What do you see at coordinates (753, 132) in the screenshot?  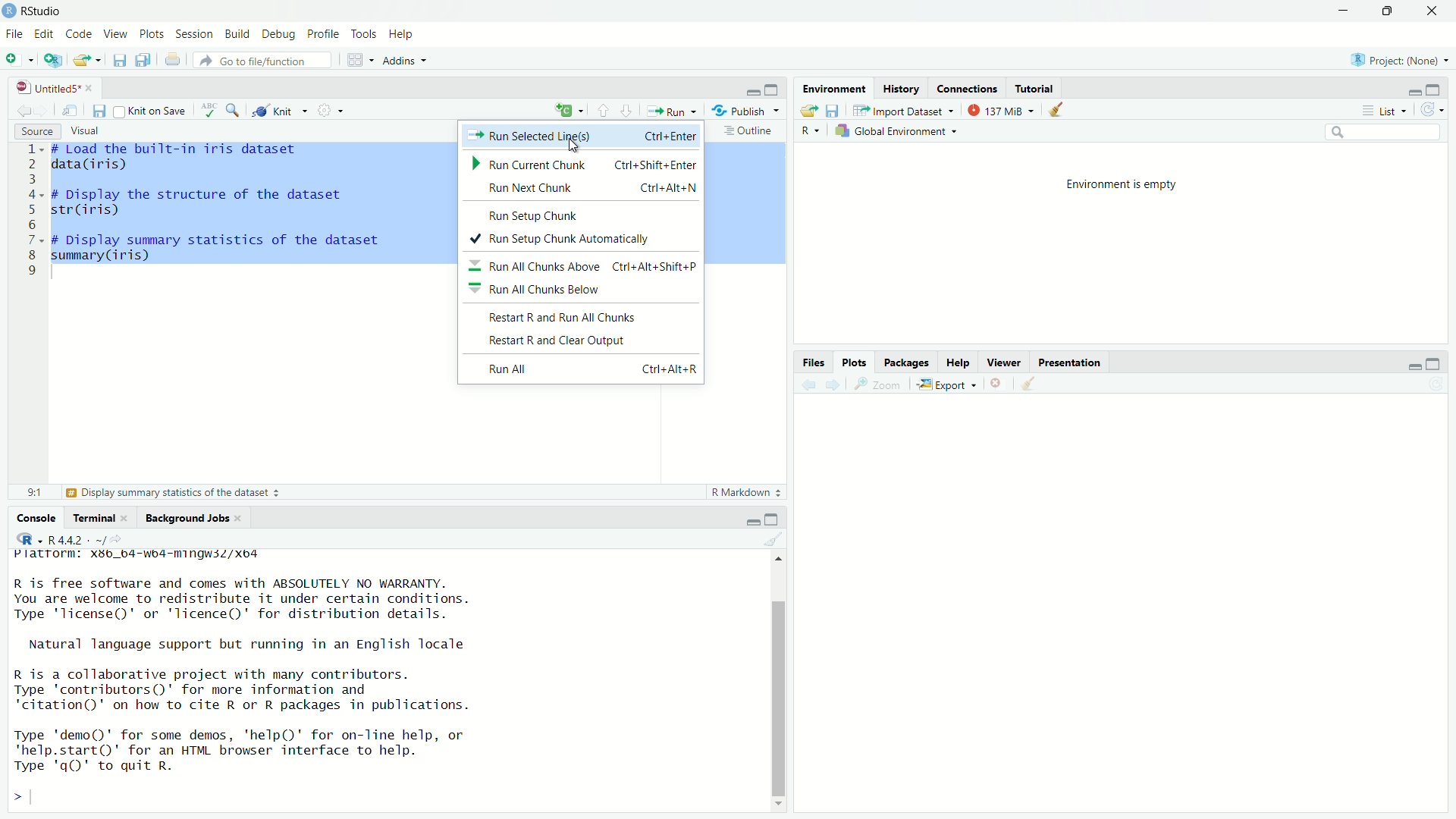 I see `Outline` at bounding box center [753, 132].